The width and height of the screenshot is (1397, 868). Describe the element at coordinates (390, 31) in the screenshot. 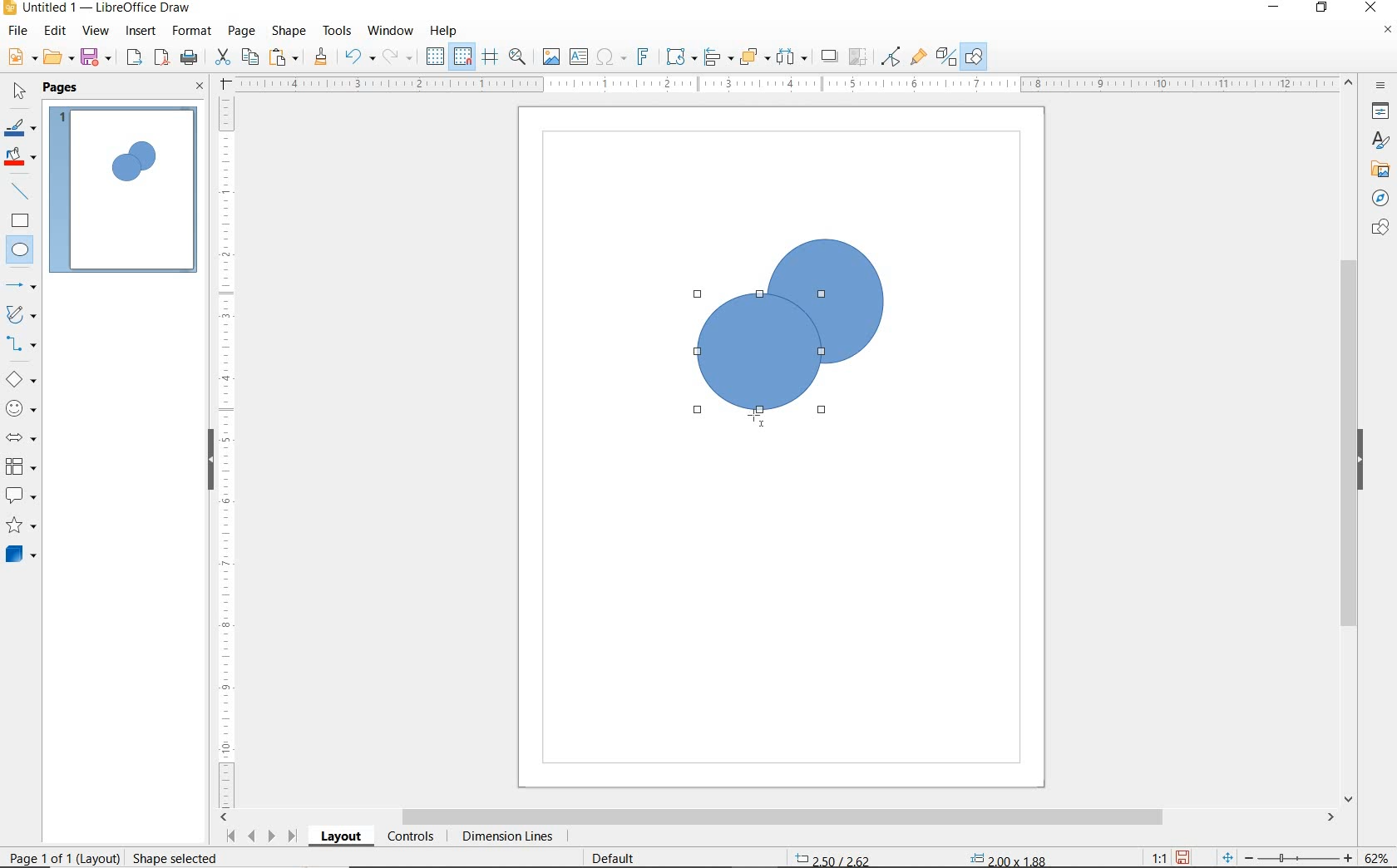

I see `WINDOW` at that location.